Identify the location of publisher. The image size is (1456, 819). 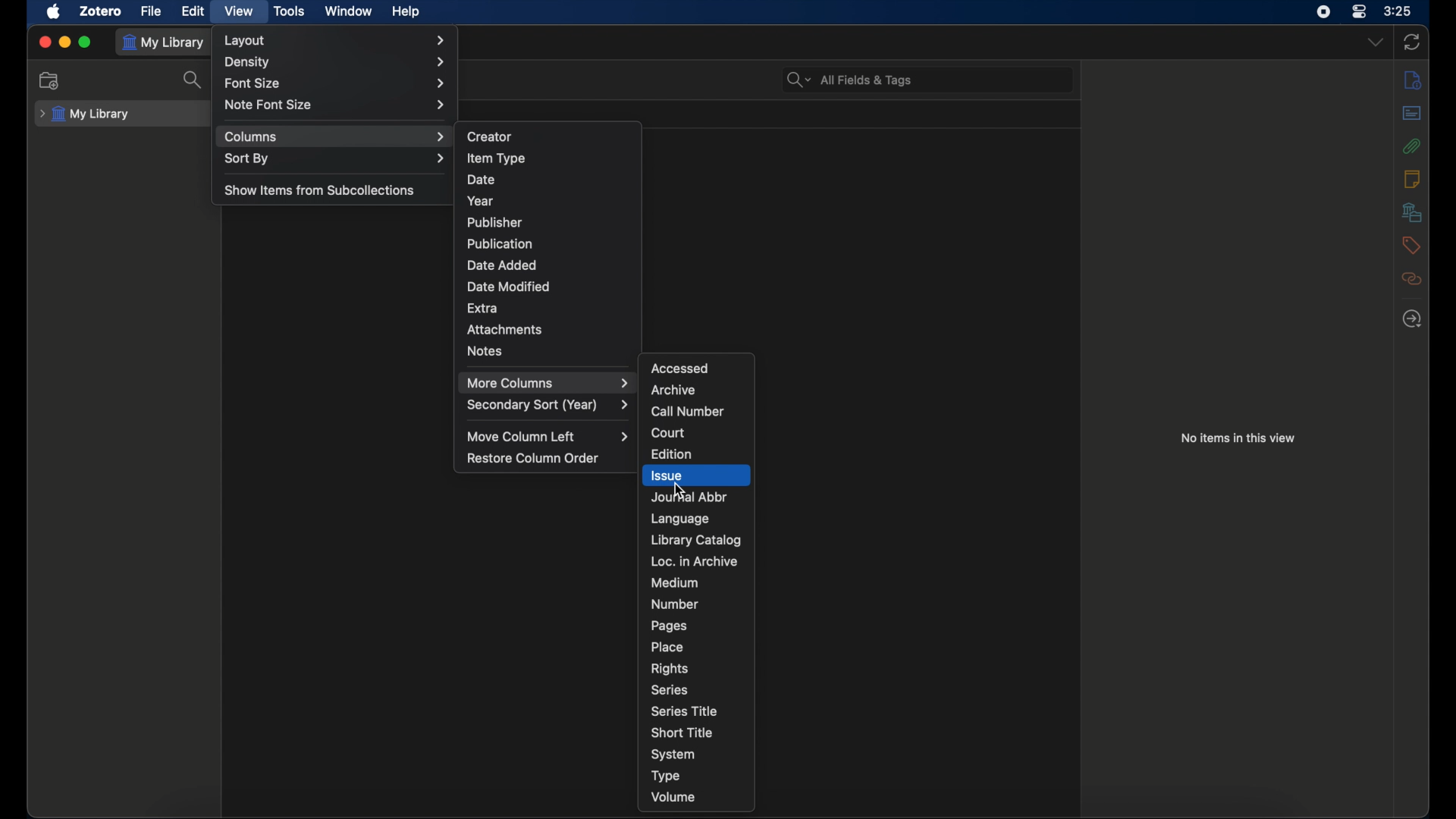
(494, 222).